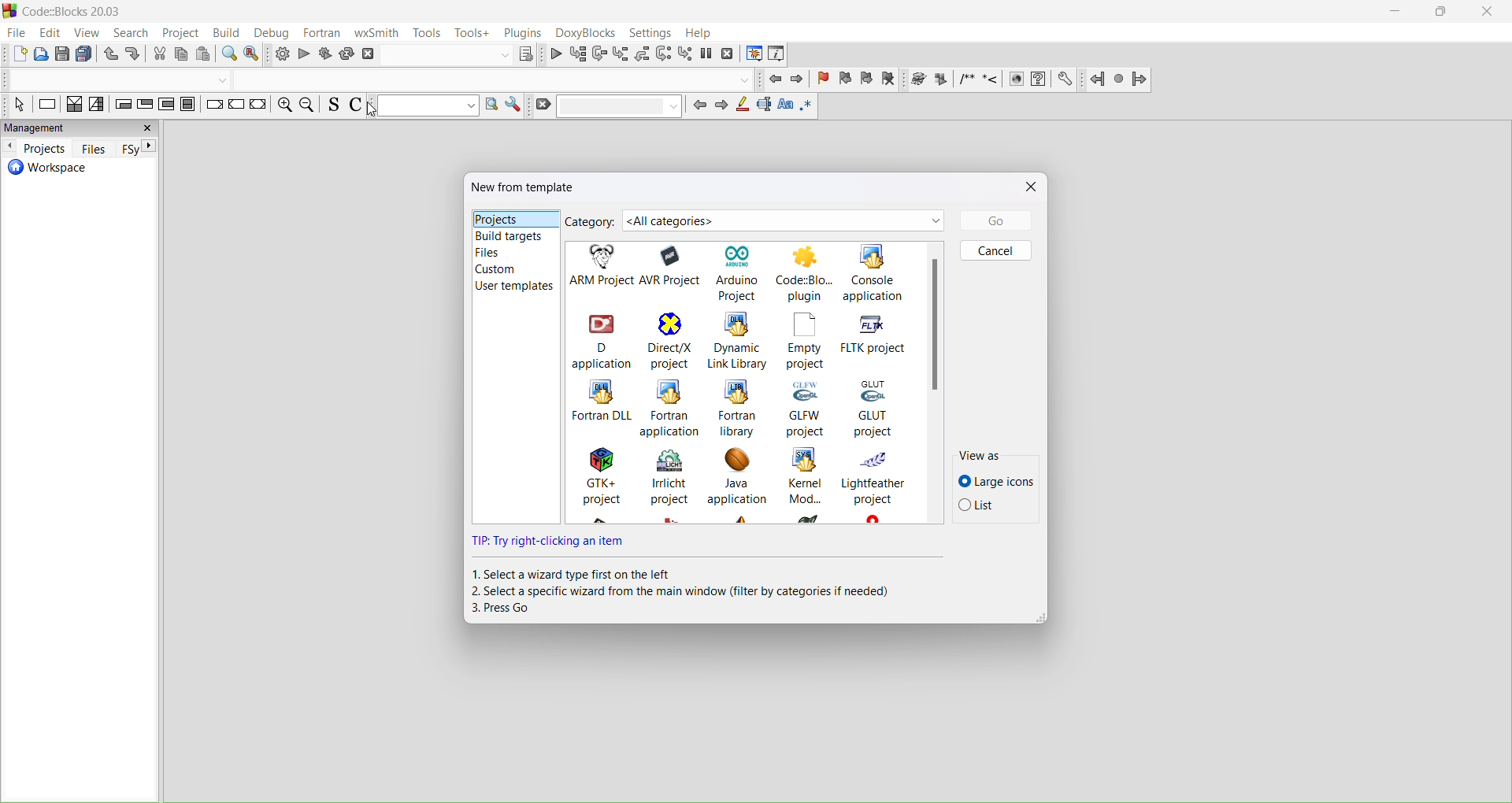 Image resolution: width=1512 pixels, height=803 pixels. Describe the element at coordinates (993, 479) in the screenshot. I see `large icons` at that location.